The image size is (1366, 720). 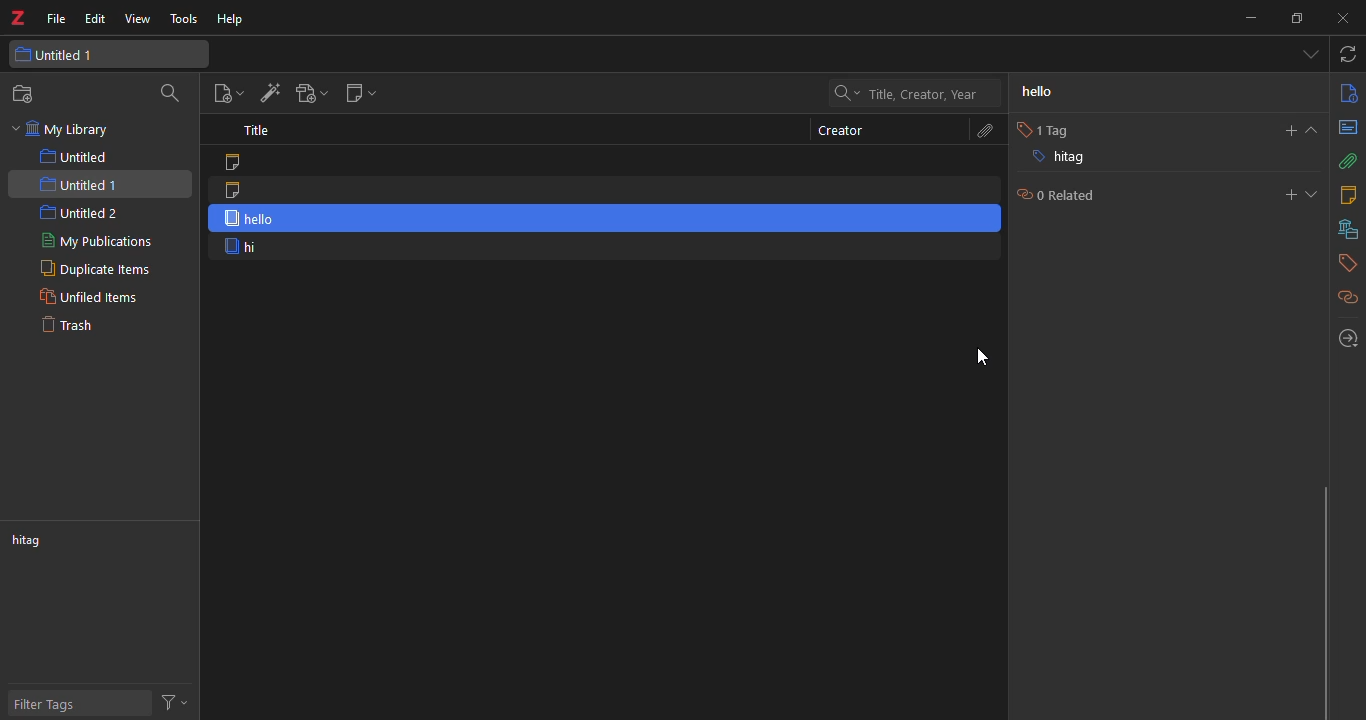 I want to click on title, so click(x=261, y=132).